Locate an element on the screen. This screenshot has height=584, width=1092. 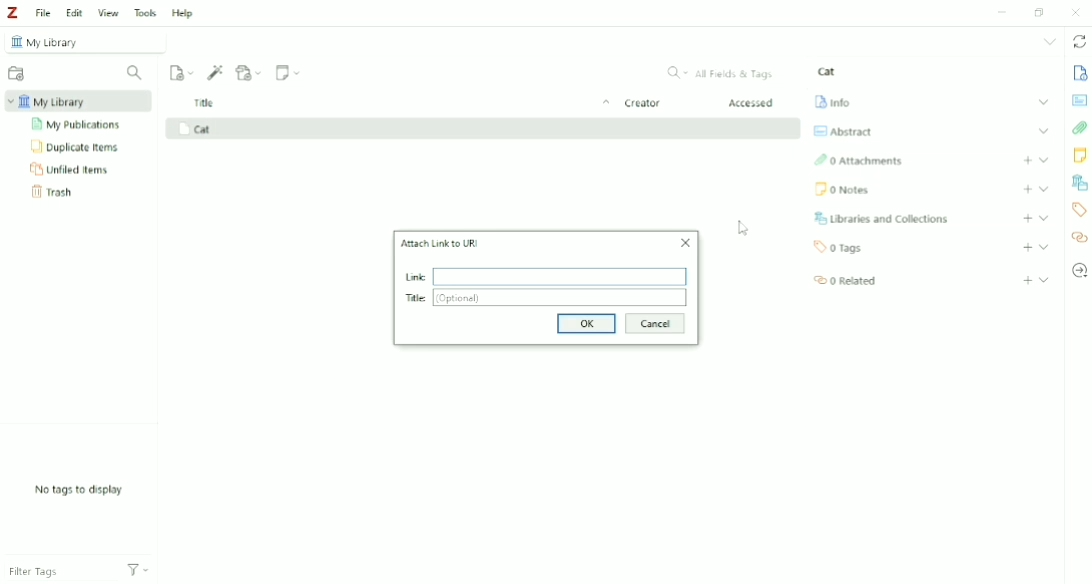
Close is located at coordinates (682, 243).